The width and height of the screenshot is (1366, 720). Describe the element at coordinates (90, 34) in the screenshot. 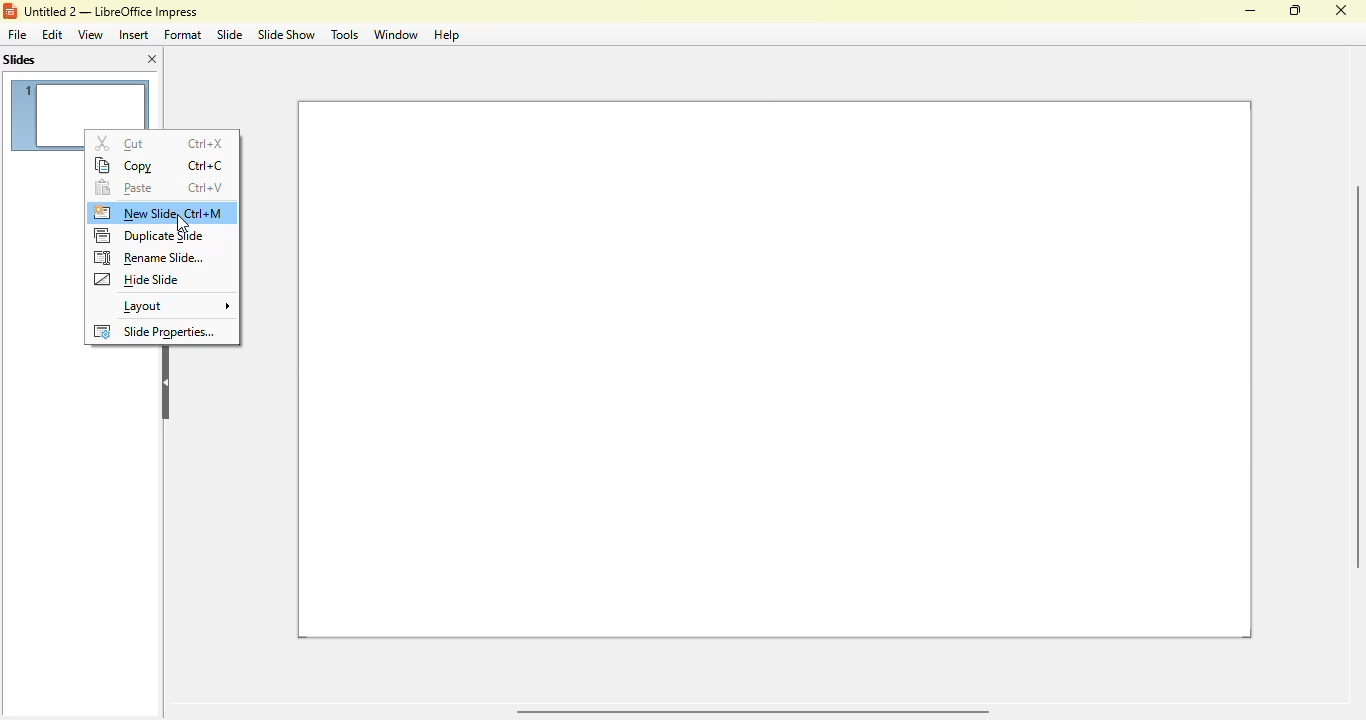

I see `view` at that location.